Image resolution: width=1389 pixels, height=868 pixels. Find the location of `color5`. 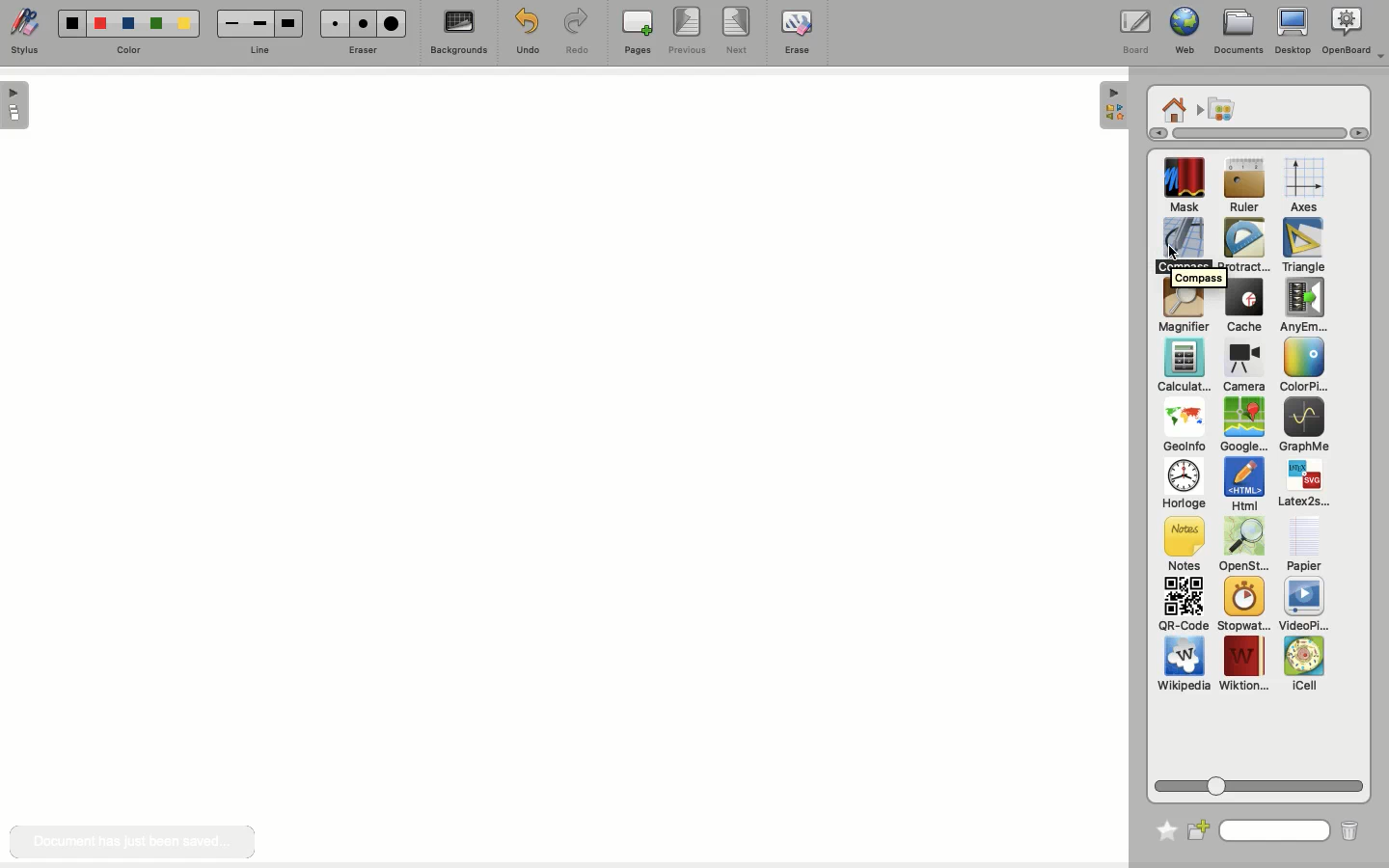

color5 is located at coordinates (183, 25).